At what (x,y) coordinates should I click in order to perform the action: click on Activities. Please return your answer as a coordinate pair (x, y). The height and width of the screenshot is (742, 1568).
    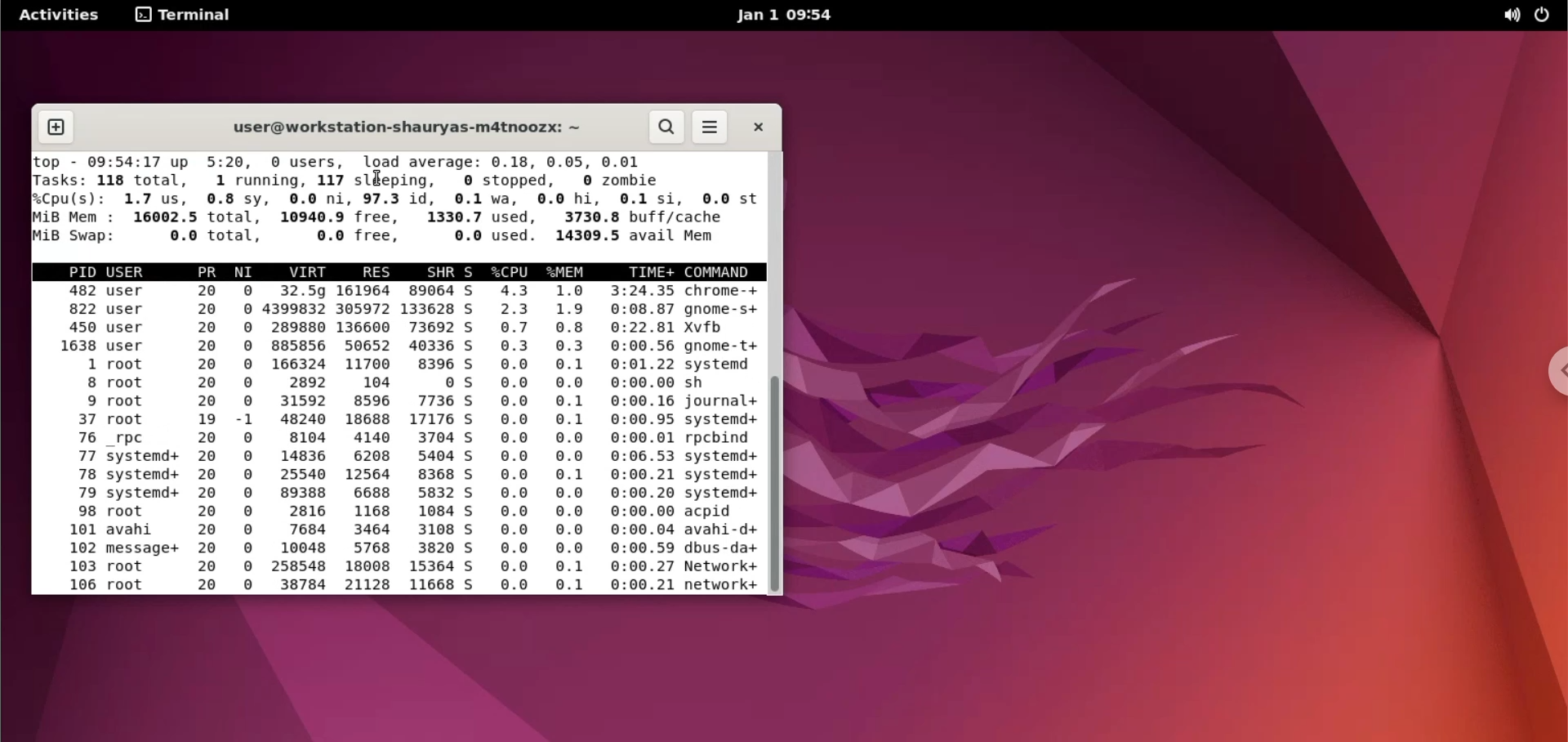
    Looking at the image, I should click on (57, 16).